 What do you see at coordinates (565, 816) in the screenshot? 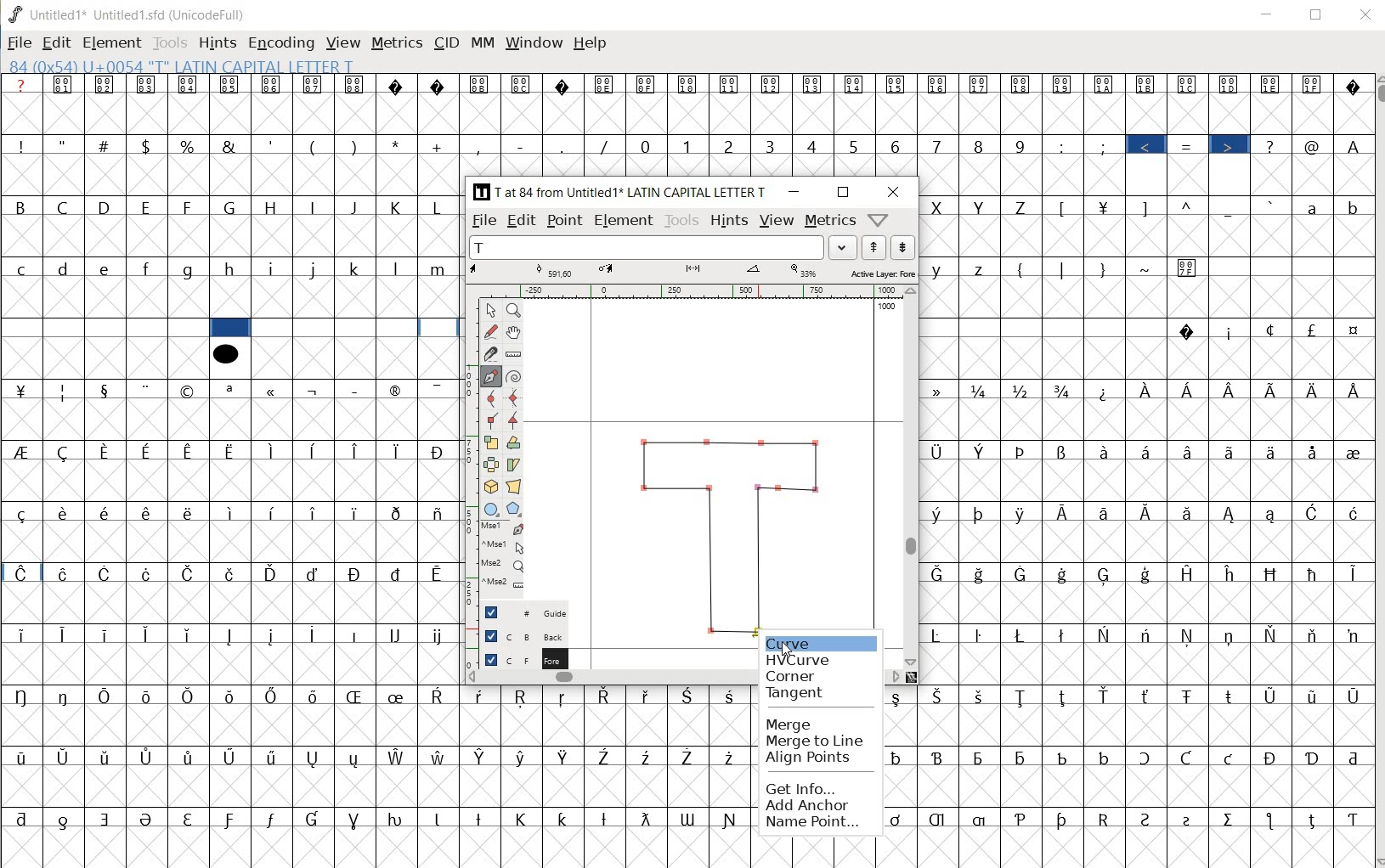
I see `Symbol` at bounding box center [565, 816].